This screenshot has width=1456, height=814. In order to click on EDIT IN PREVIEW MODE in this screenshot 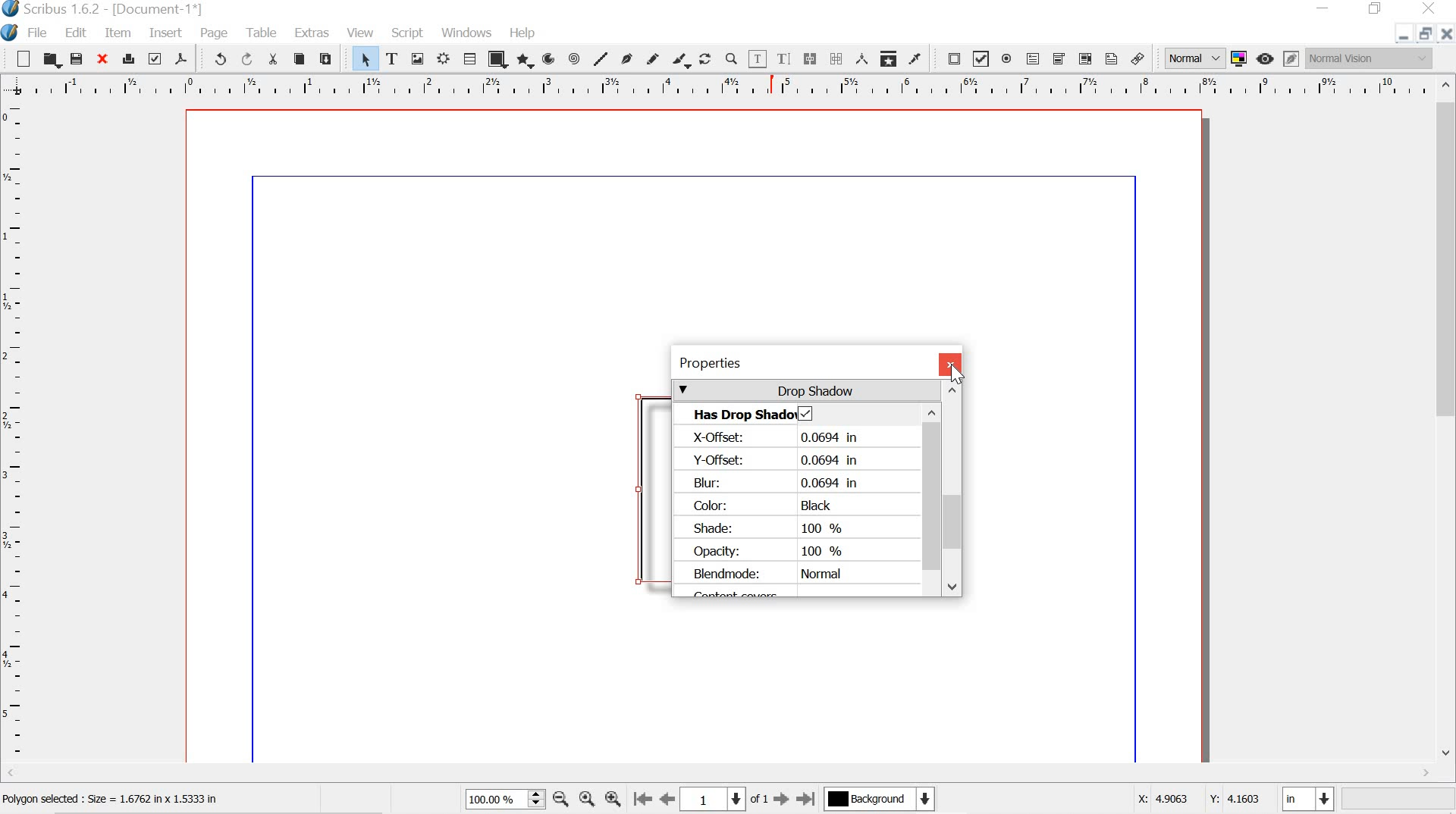, I will do `click(1291, 58)`.